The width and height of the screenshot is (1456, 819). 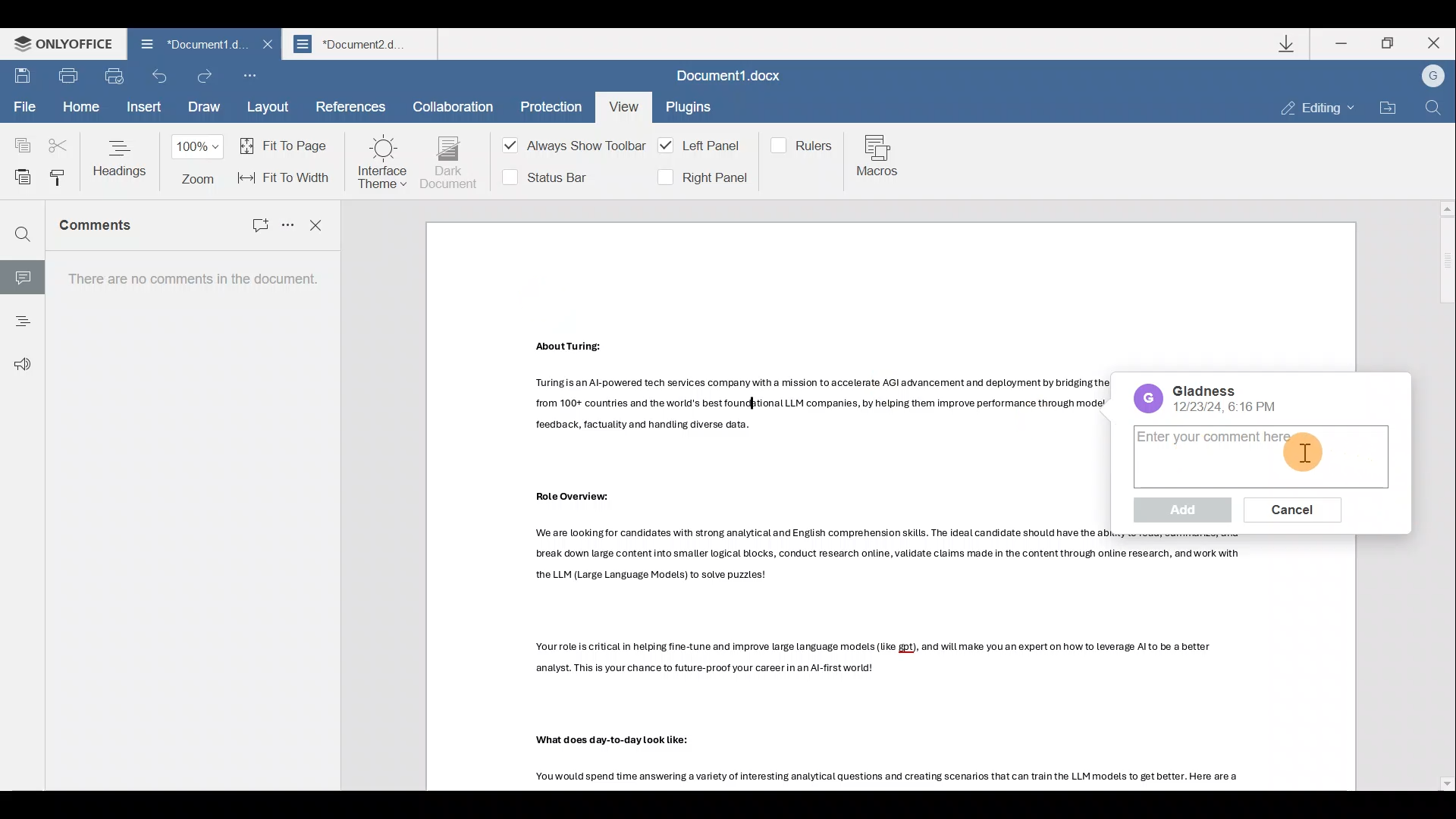 What do you see at coordinates (364, 46) in the screenshot?
I see `Document2.d..` at bounding box center [364, 46].